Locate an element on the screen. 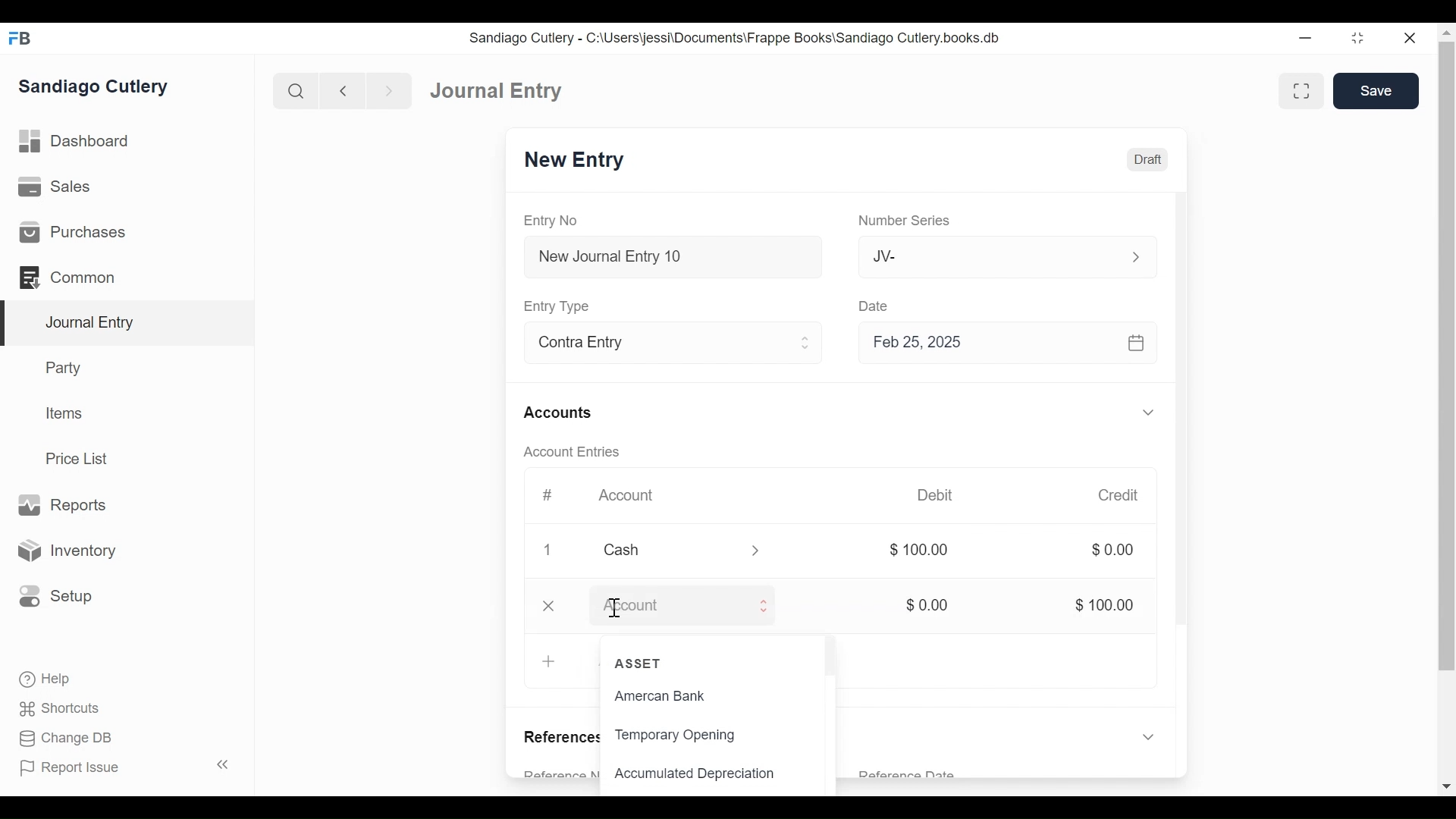  Dashboard is located at coordinates (80, 143).